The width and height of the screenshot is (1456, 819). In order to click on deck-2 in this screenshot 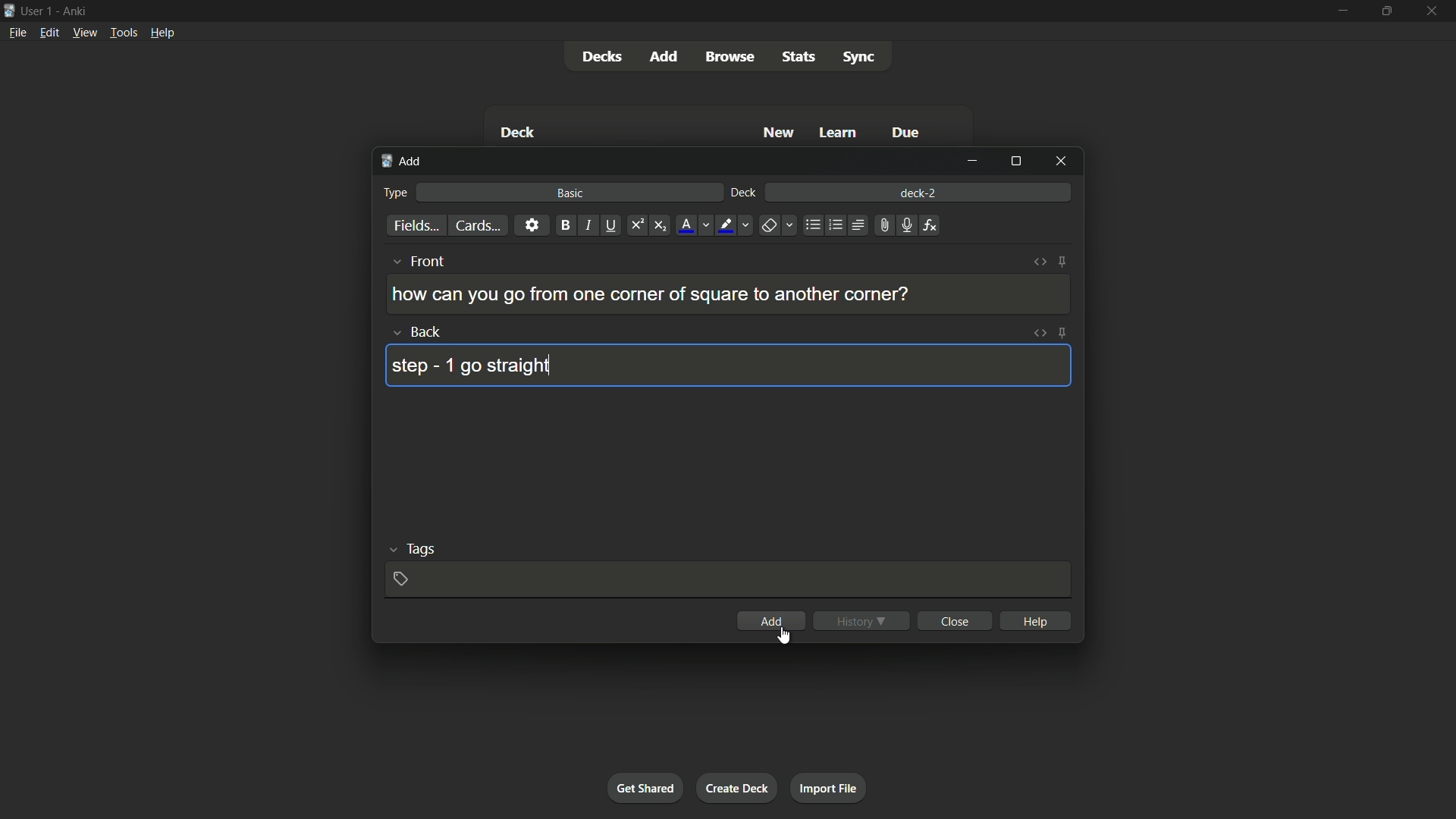, I will do `click(918, 191)`.